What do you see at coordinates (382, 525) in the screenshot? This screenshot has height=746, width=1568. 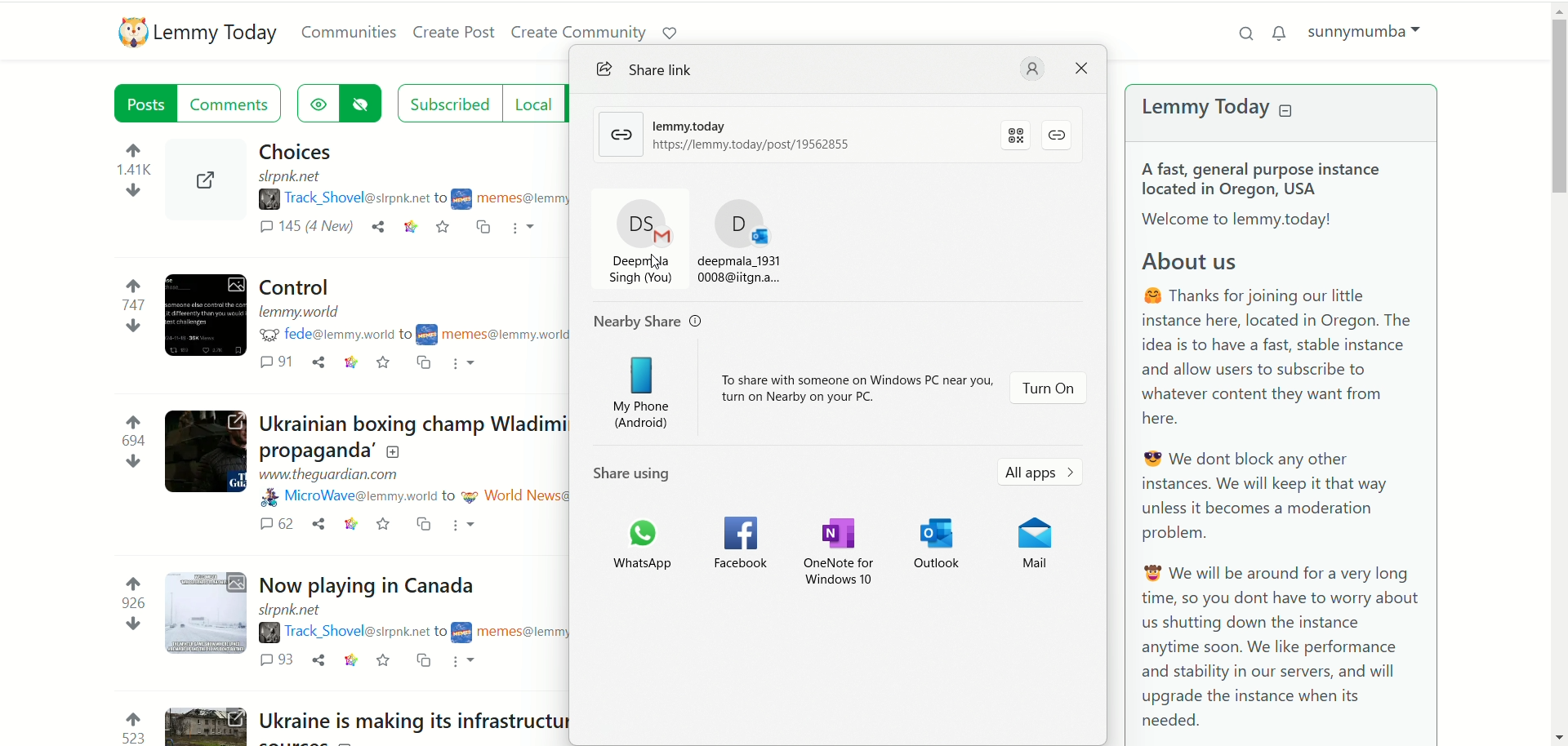 I see `save` at bounding box center [382, 525].